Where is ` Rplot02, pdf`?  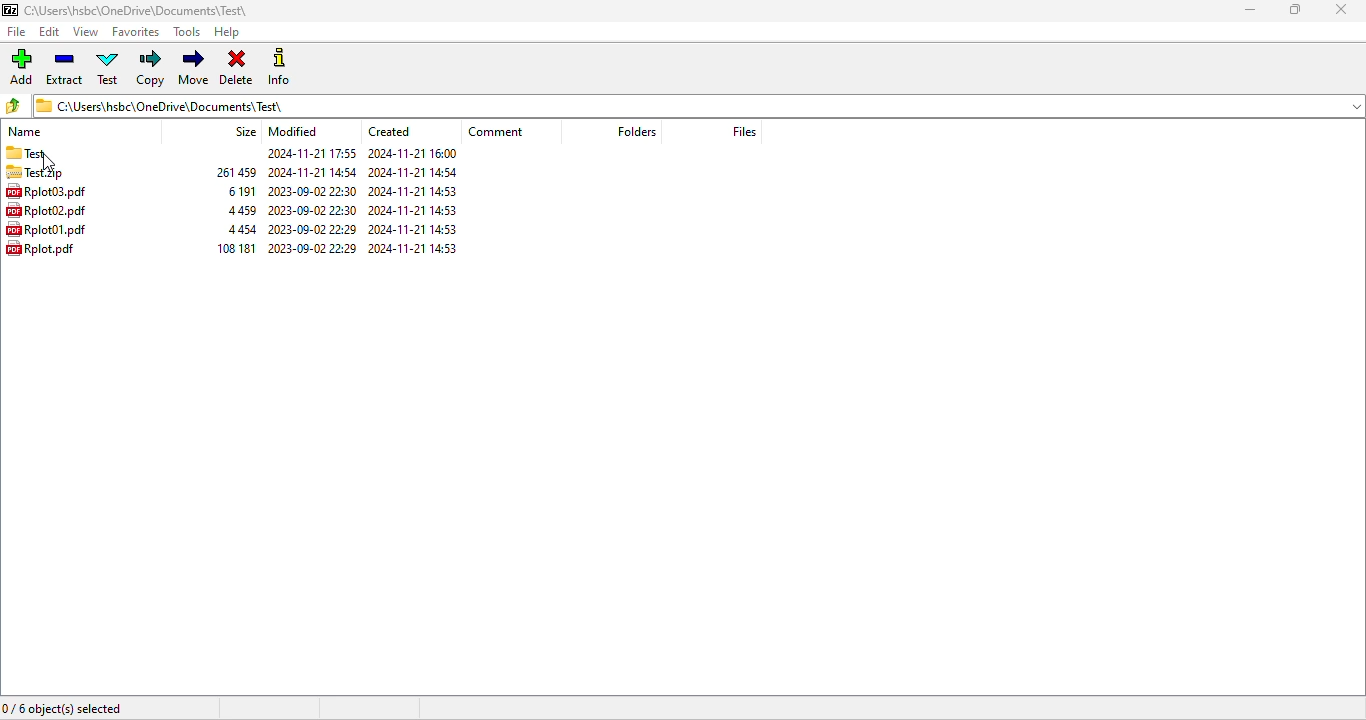
 Rplot02, pdf is located at coordinates (50, 211).